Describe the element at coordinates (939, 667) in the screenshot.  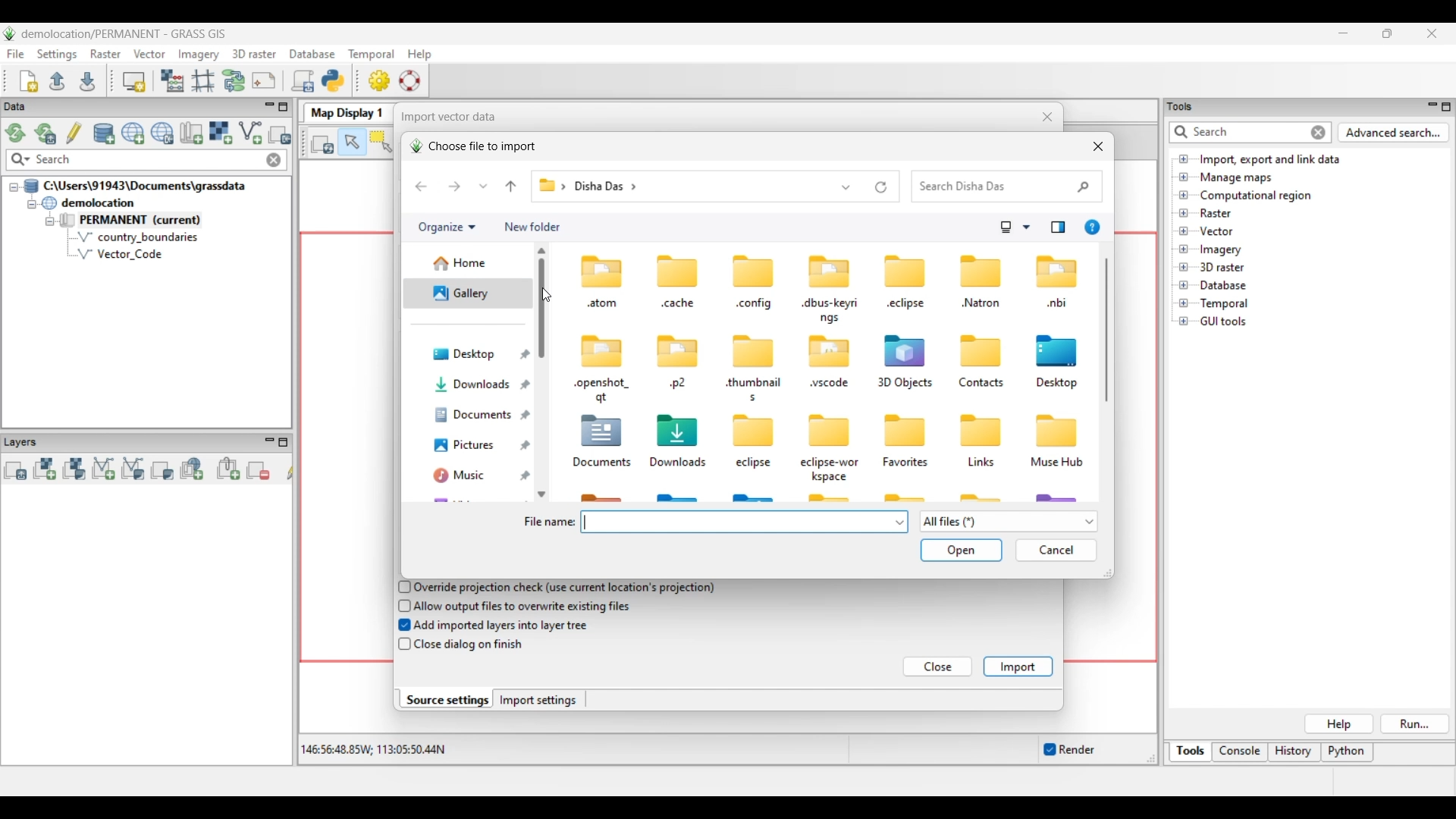
I see `Close` at that location.